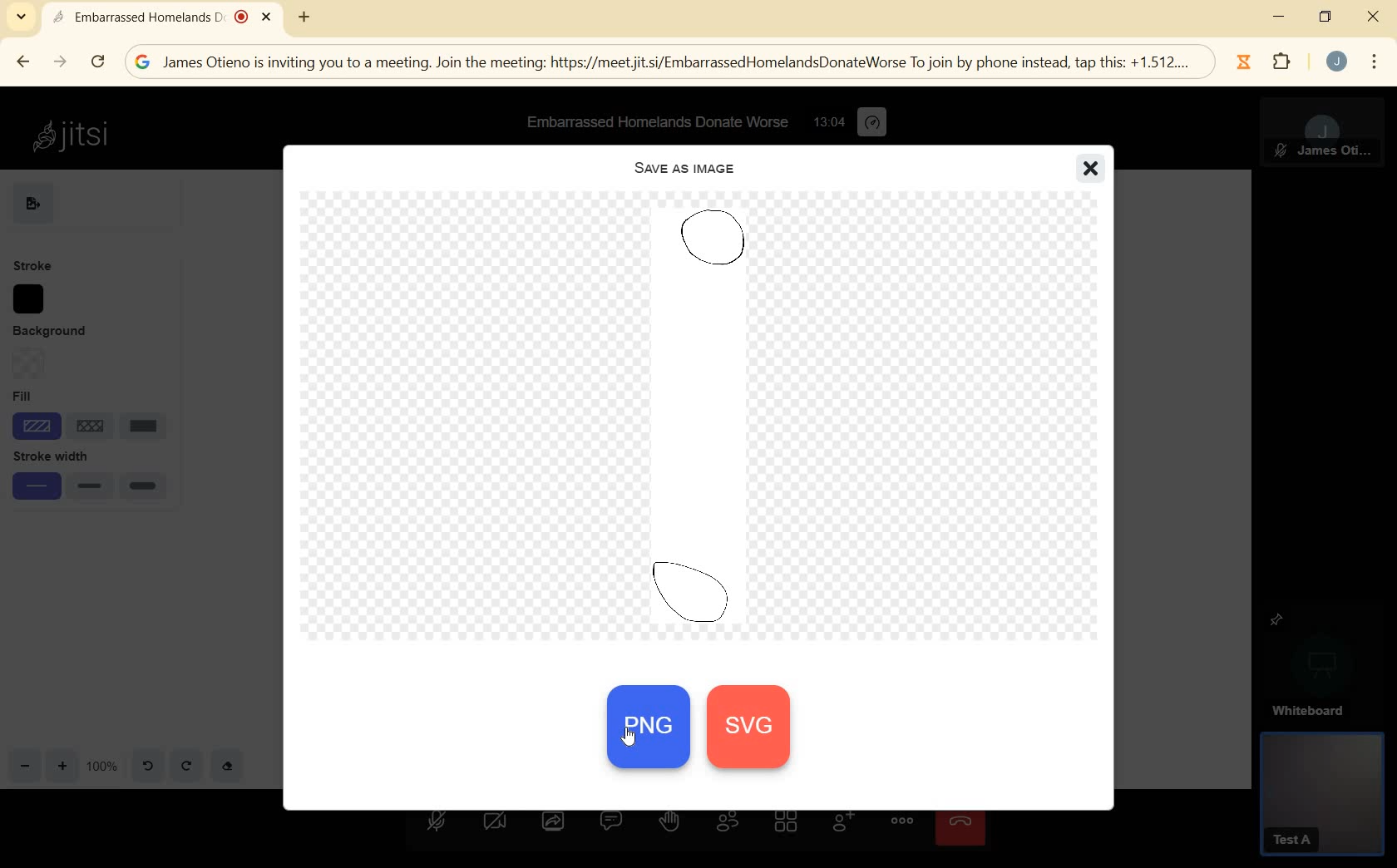 The height and width of the screenshot is (868, 1397). I want to click on GUEST PANEL VIEW, so click(1321, 798).